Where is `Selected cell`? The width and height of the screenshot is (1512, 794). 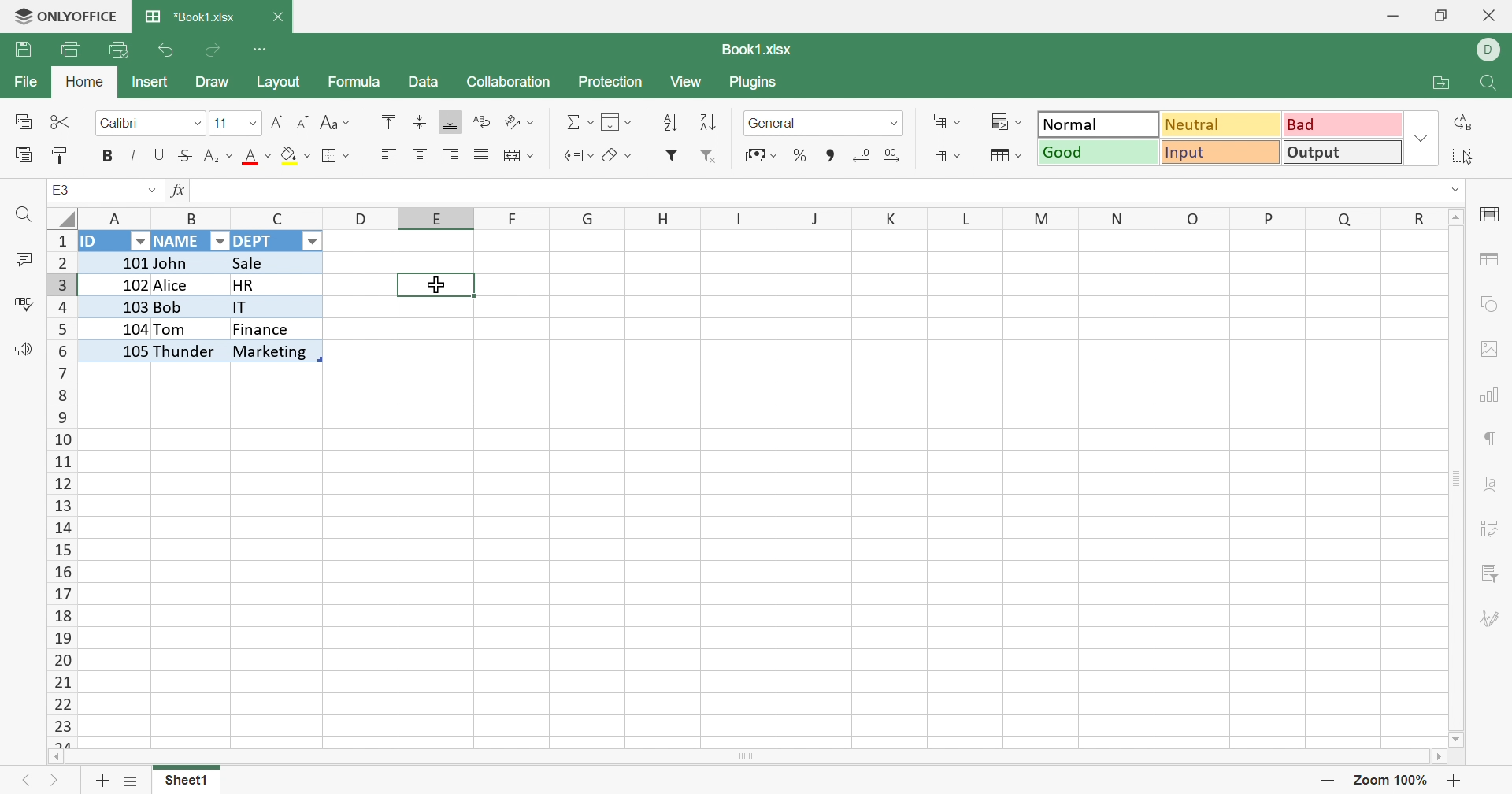
Selected cell is located at coordinates (438, 287).